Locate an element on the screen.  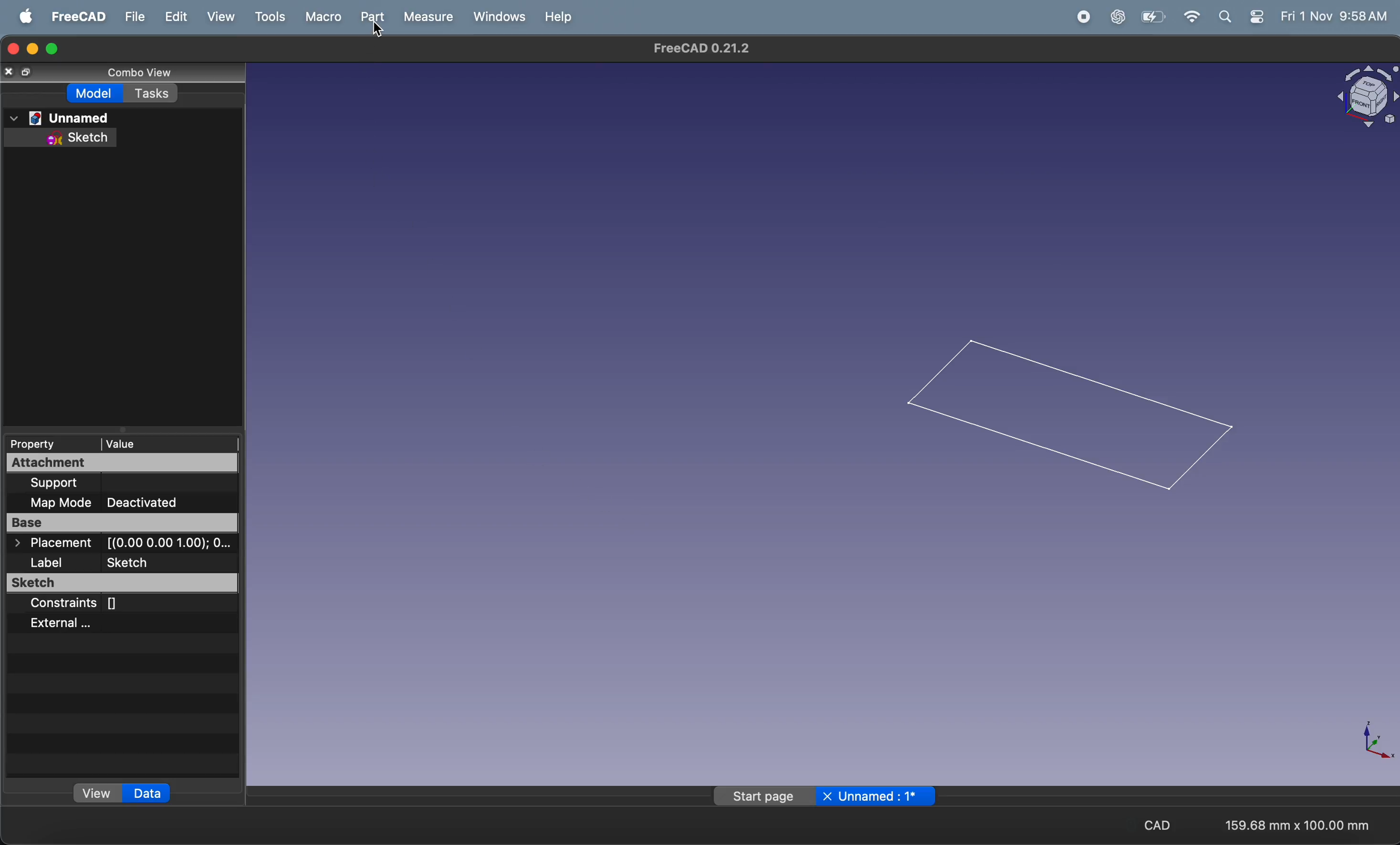
view is located at coordinates (97, 793).